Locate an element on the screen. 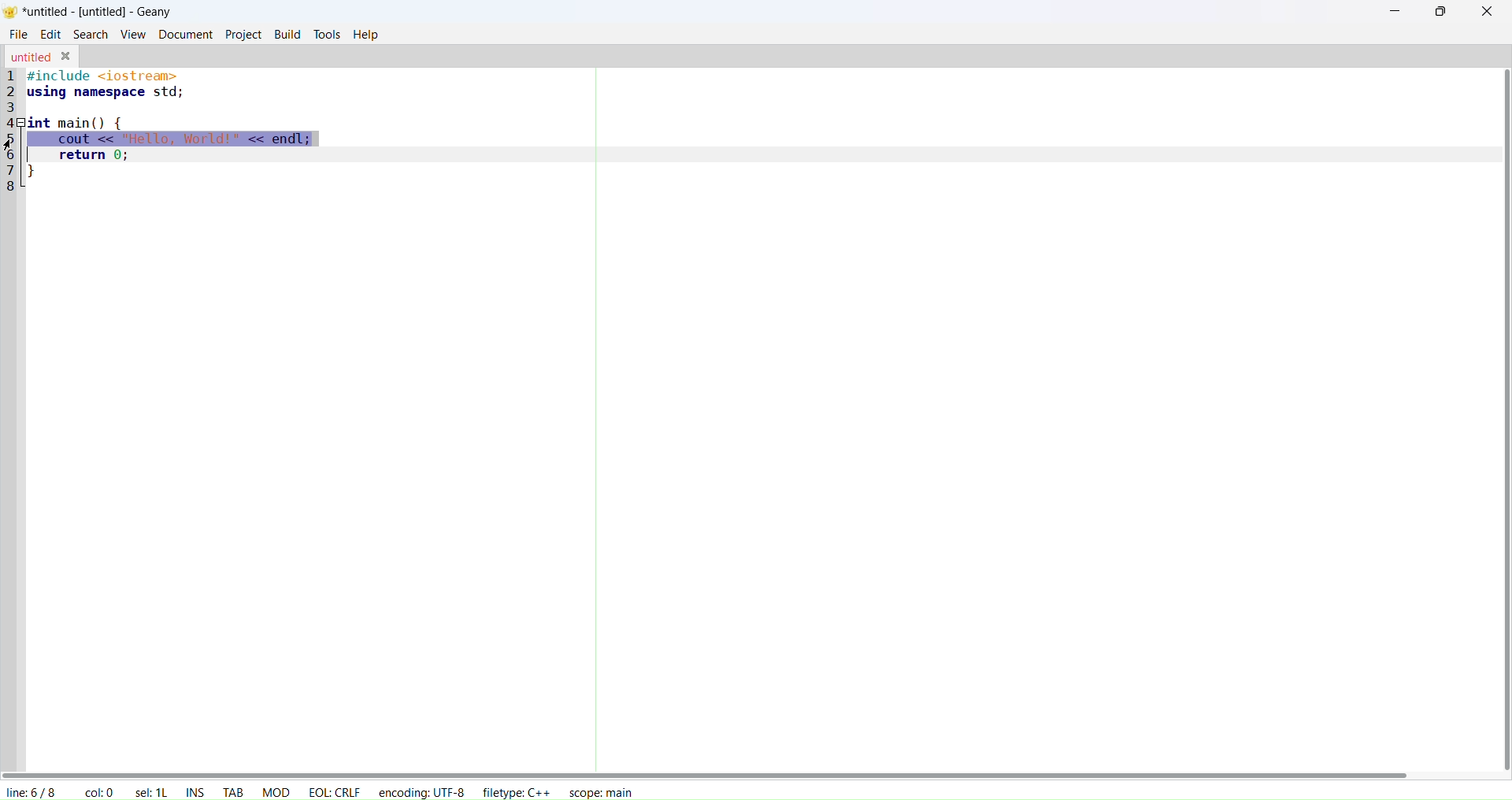  *untitled-[untitled]-Geany is located at coordinates (98, 12).